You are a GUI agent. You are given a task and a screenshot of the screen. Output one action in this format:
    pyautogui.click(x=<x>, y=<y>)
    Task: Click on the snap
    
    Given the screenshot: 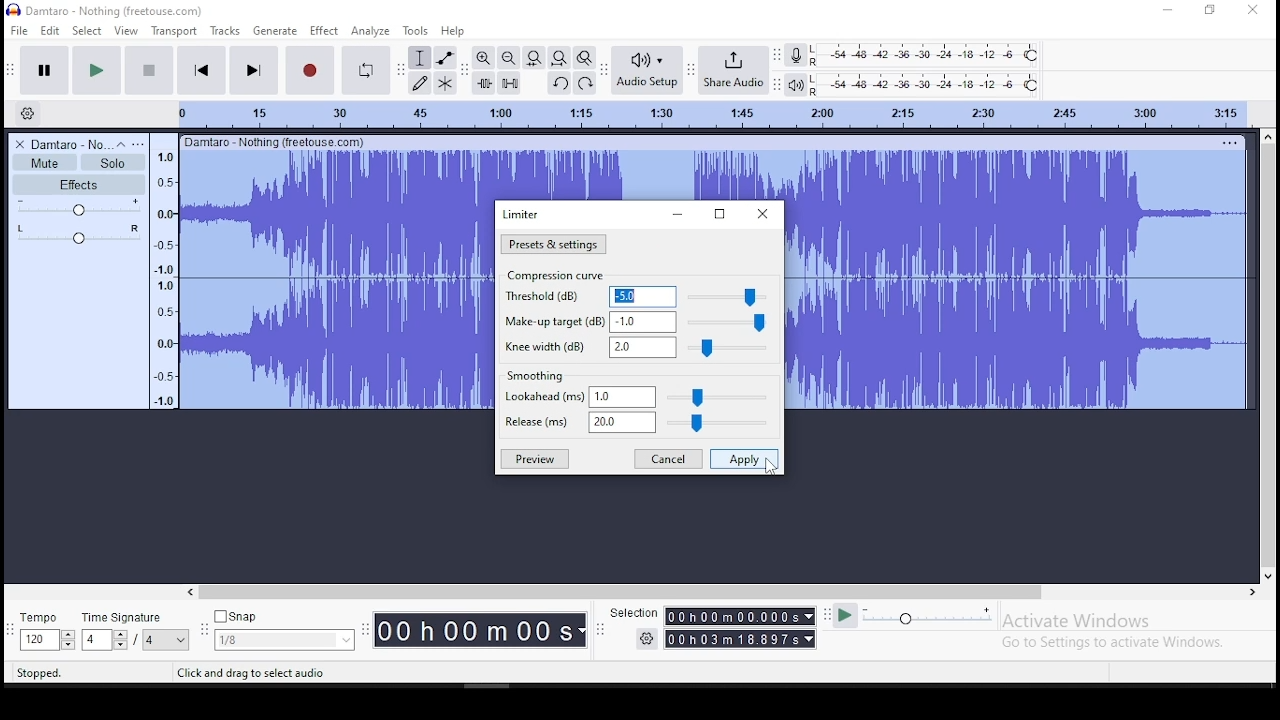 What is the action you would take?
    pyautogui.click(x=283, y=628)
    